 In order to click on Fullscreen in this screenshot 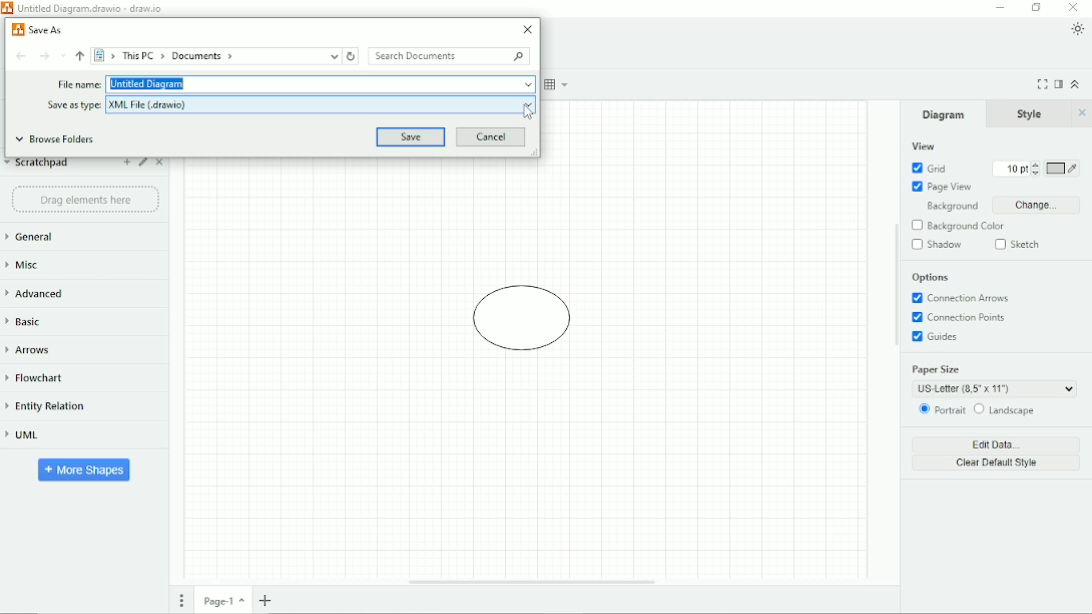, I will do `click(1042, 84)`.